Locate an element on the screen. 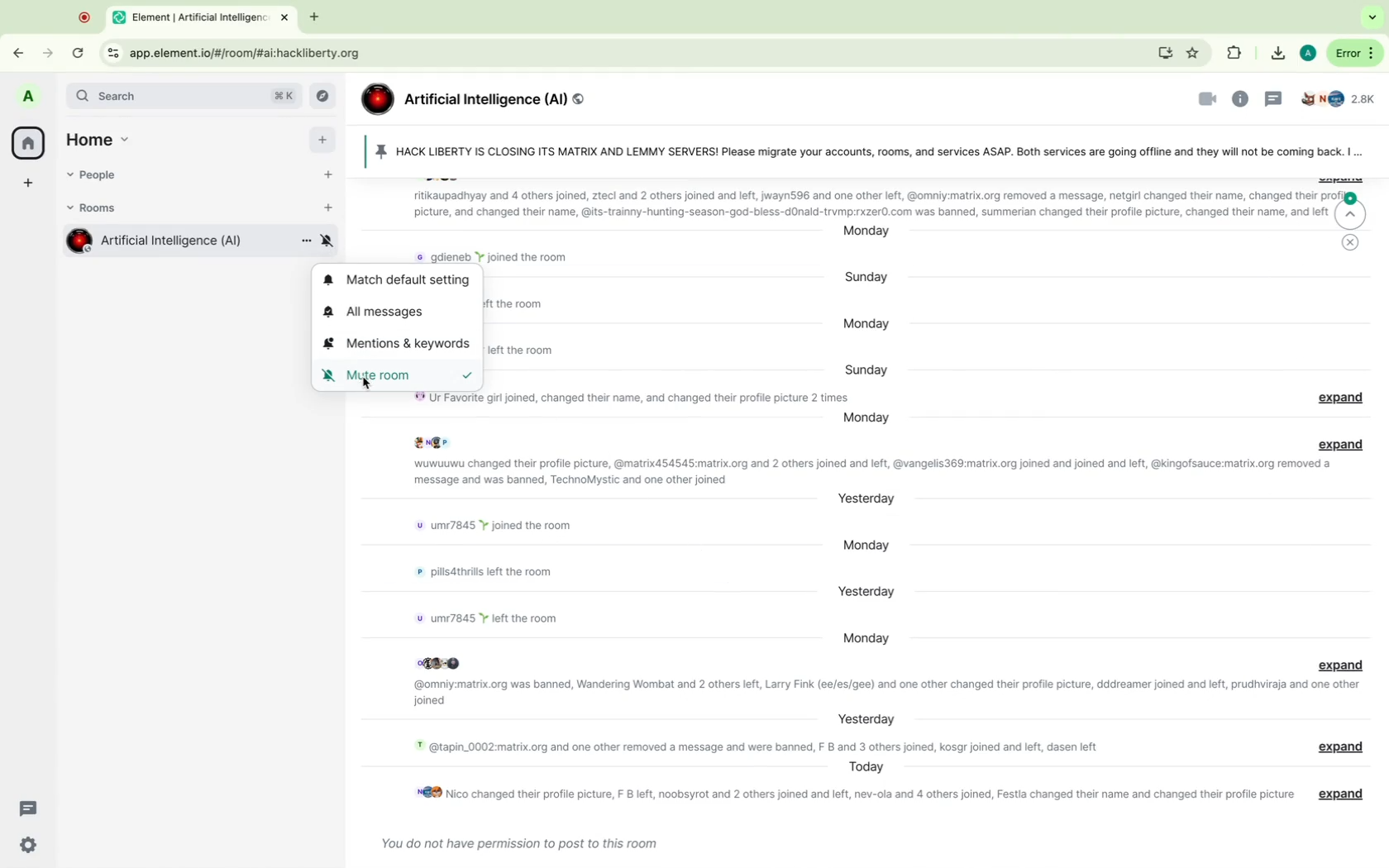  day is located at coordinates (865, 421).